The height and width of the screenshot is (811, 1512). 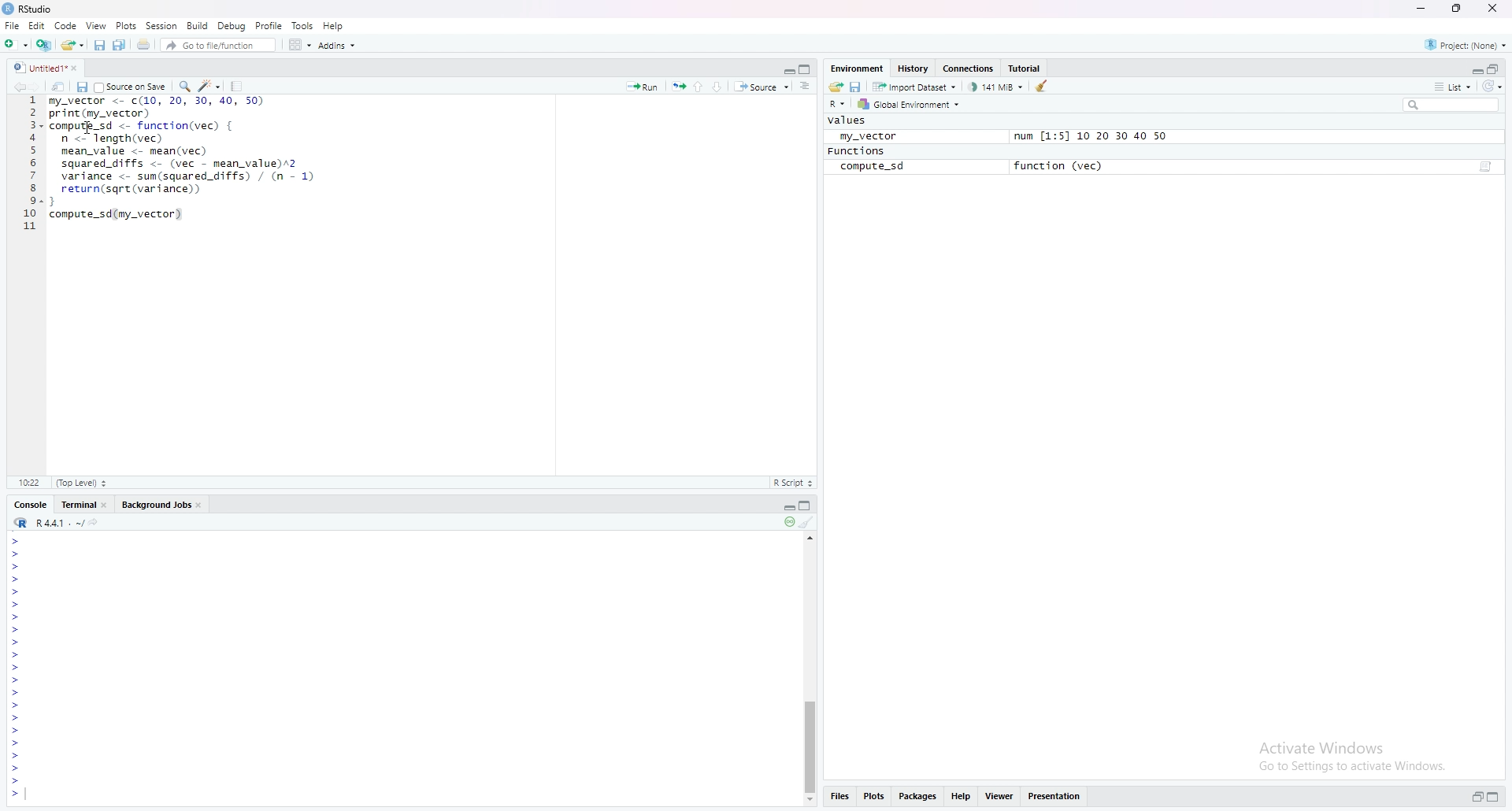 I want to click on Activate Windows
Go to Settings to activate Windows., so click(x=1354, y=754).